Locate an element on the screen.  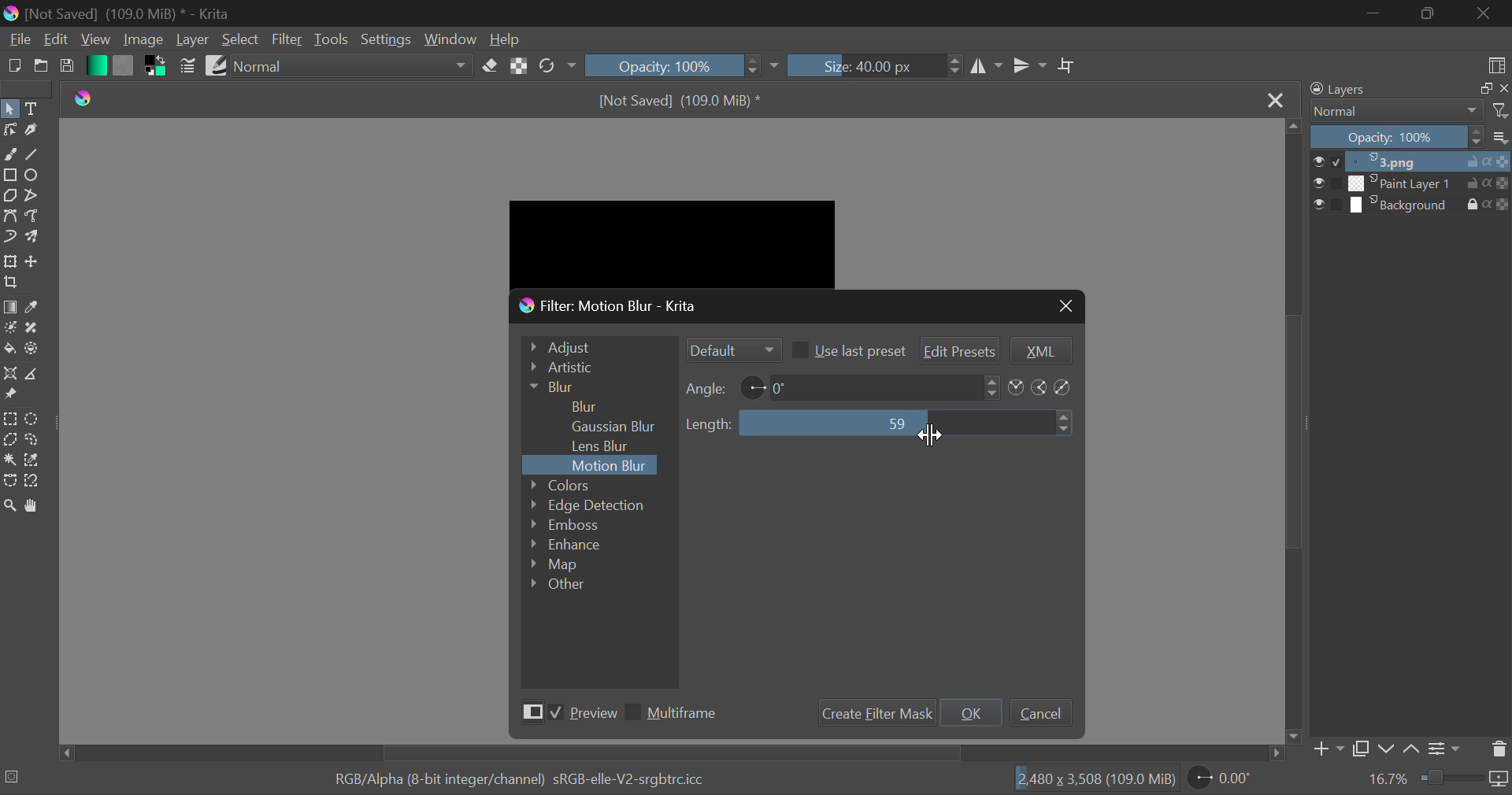
Edit Presets is located at coordinates (961, 349).